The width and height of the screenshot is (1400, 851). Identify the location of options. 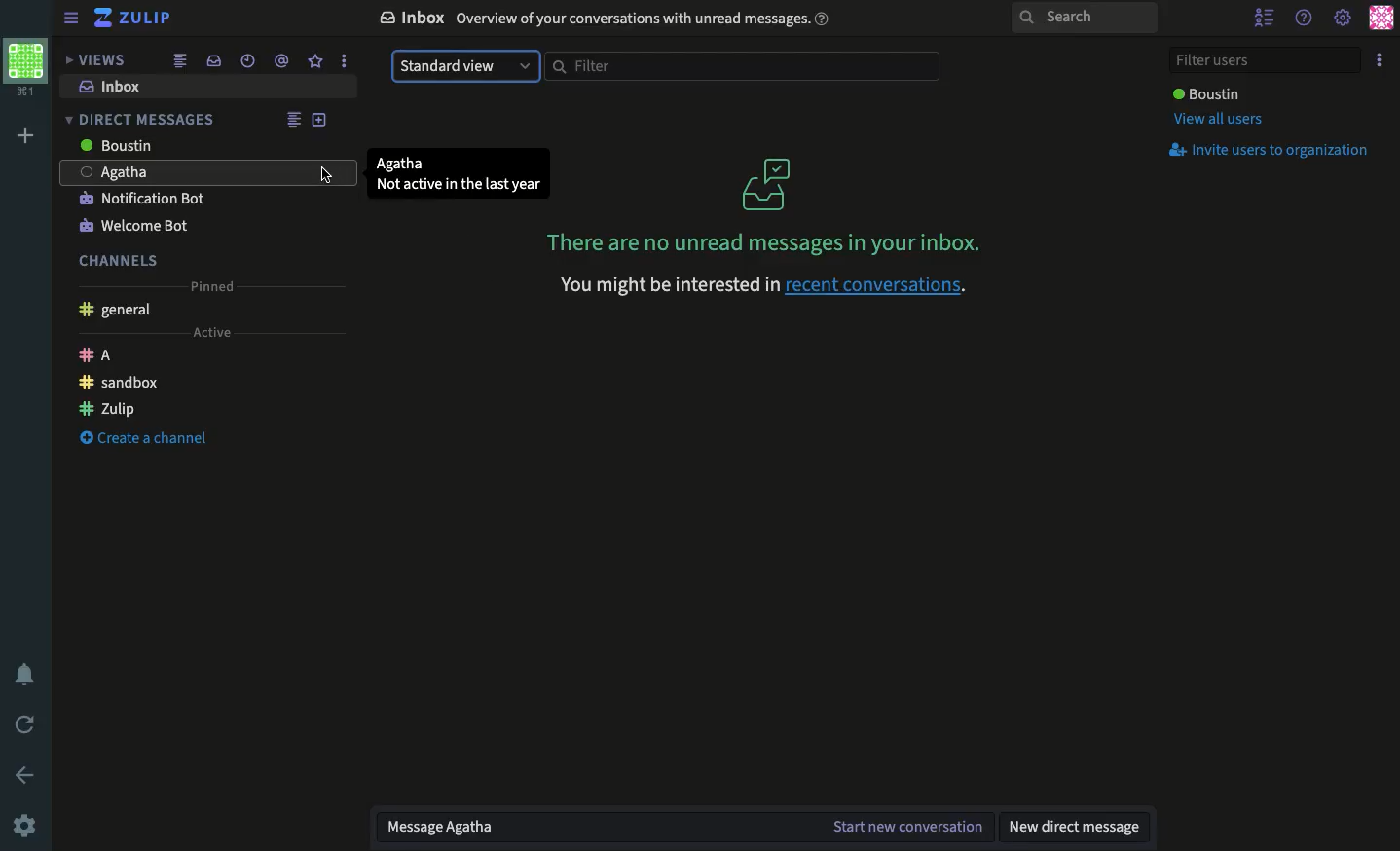
(346, 56).